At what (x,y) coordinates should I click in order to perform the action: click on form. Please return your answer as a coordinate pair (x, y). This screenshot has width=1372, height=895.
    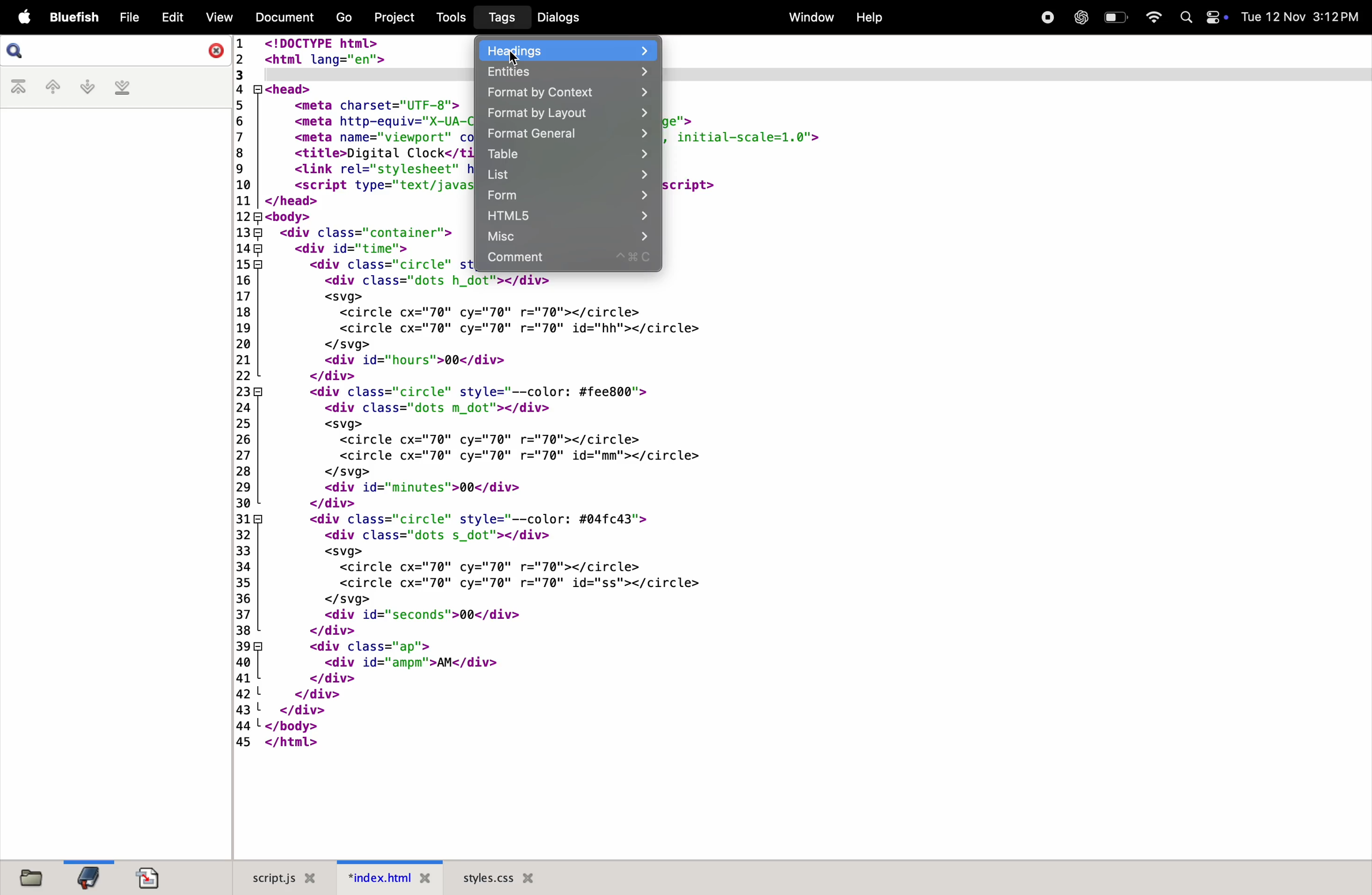
    Looking at the image, I should click on (566, 196).